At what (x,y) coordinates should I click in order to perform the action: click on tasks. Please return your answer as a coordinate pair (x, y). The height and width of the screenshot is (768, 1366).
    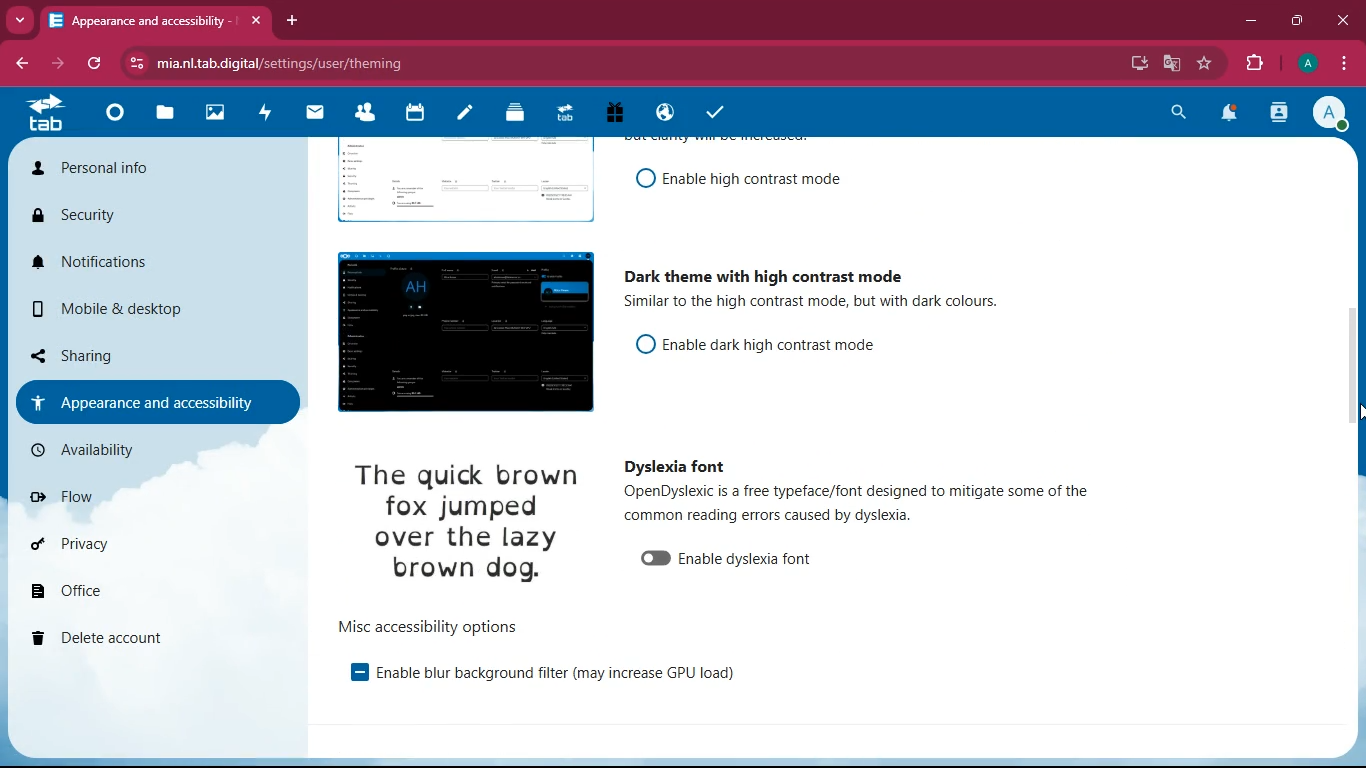
    Looking at the image, I should click on (720, 110).